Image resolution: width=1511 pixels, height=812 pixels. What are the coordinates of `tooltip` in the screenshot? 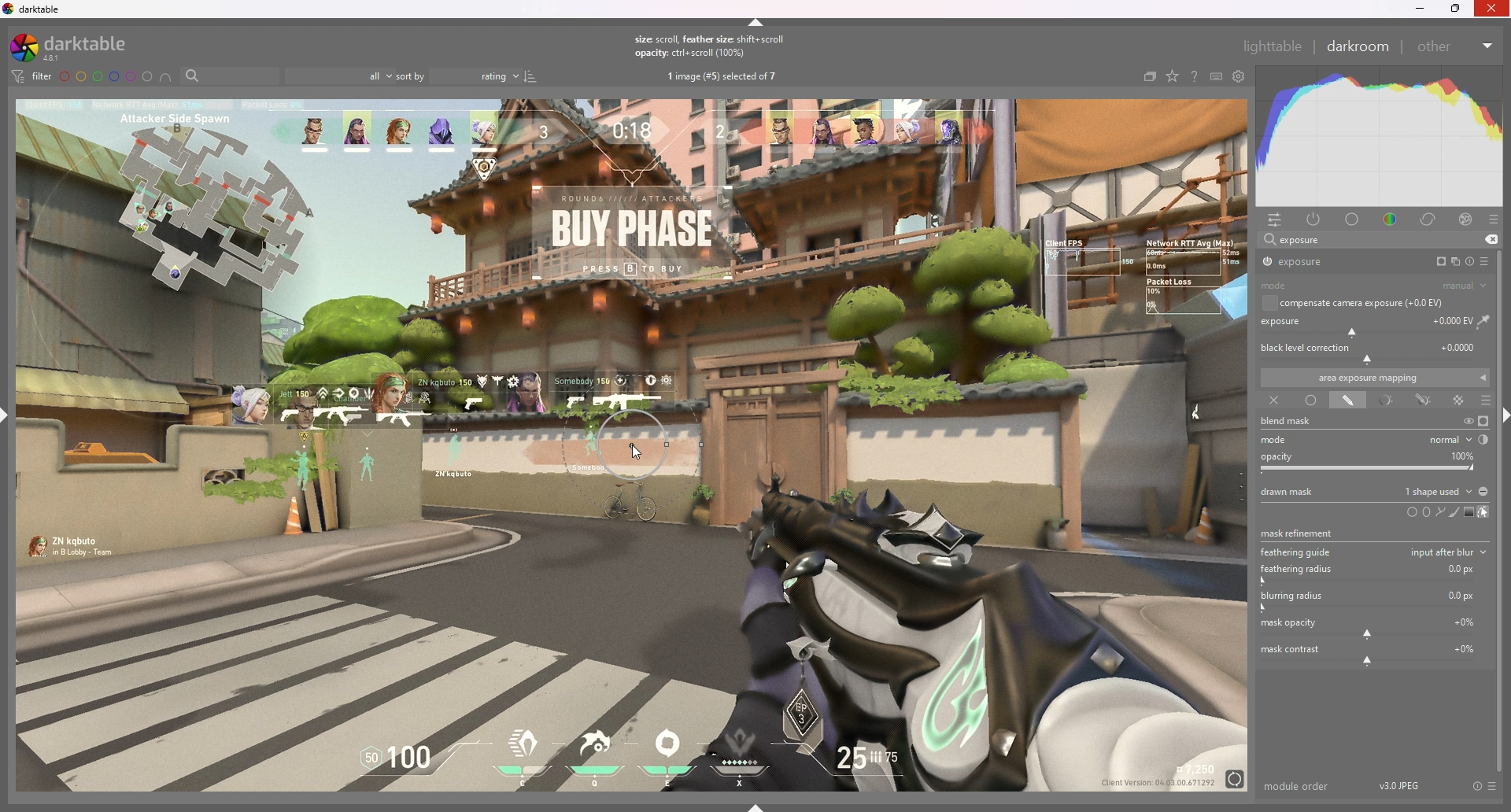 It's located at (714, 47).